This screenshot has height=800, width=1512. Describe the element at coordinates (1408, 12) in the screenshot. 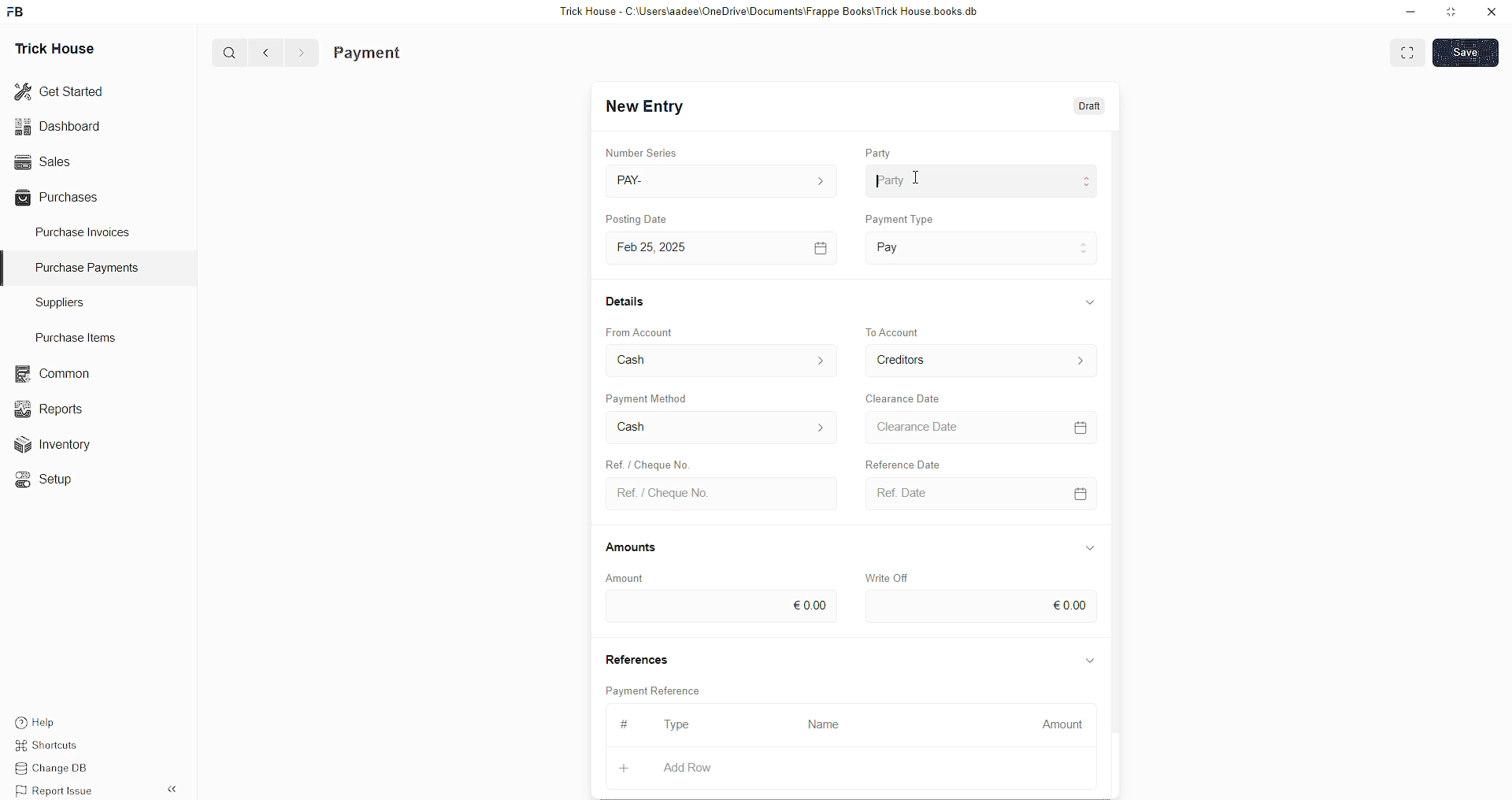

I see `minimise down` at that location.